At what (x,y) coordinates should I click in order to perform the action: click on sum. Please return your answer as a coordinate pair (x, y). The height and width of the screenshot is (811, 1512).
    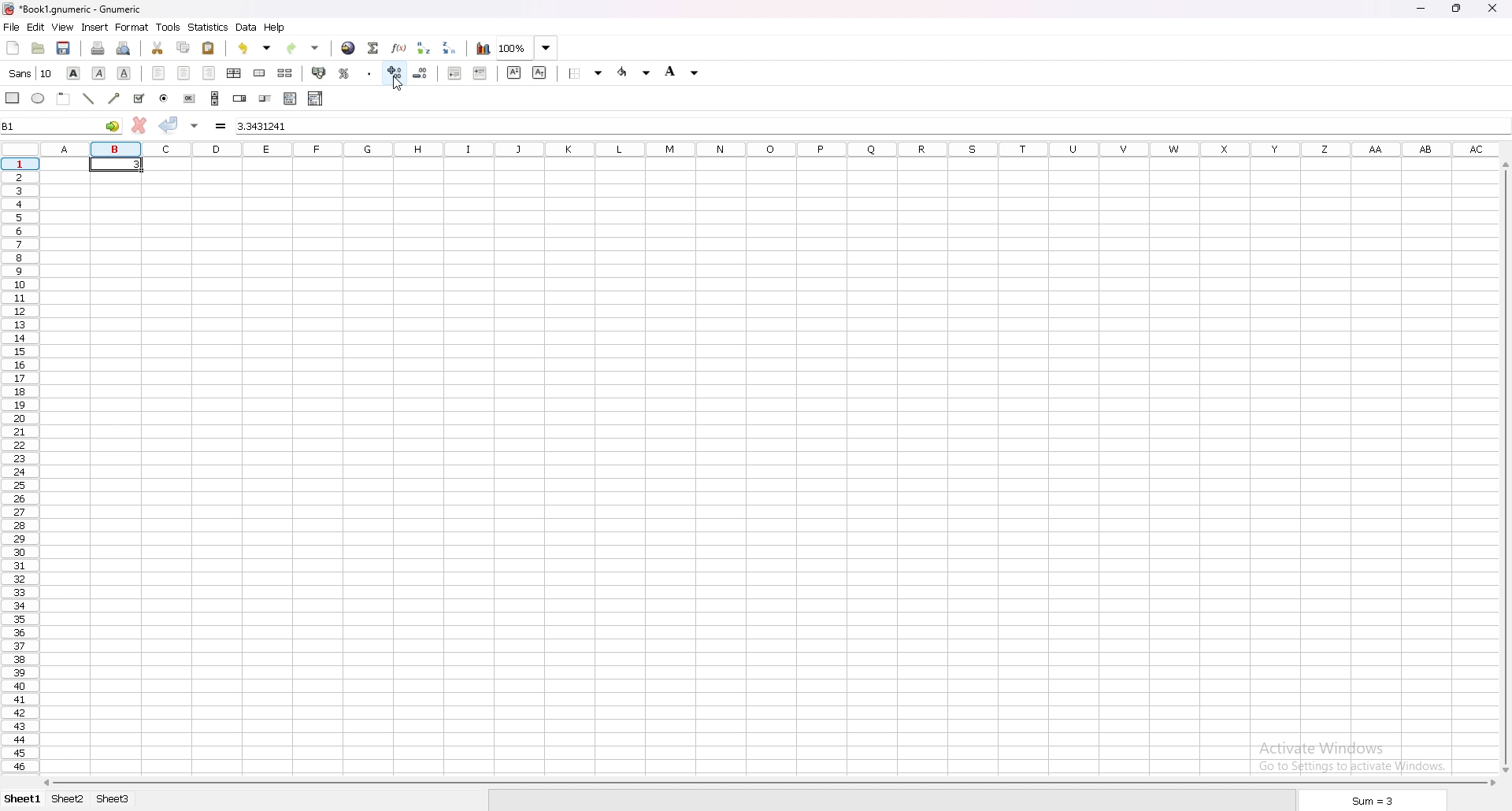
    Looking at the image, I should click on (1373, 801).